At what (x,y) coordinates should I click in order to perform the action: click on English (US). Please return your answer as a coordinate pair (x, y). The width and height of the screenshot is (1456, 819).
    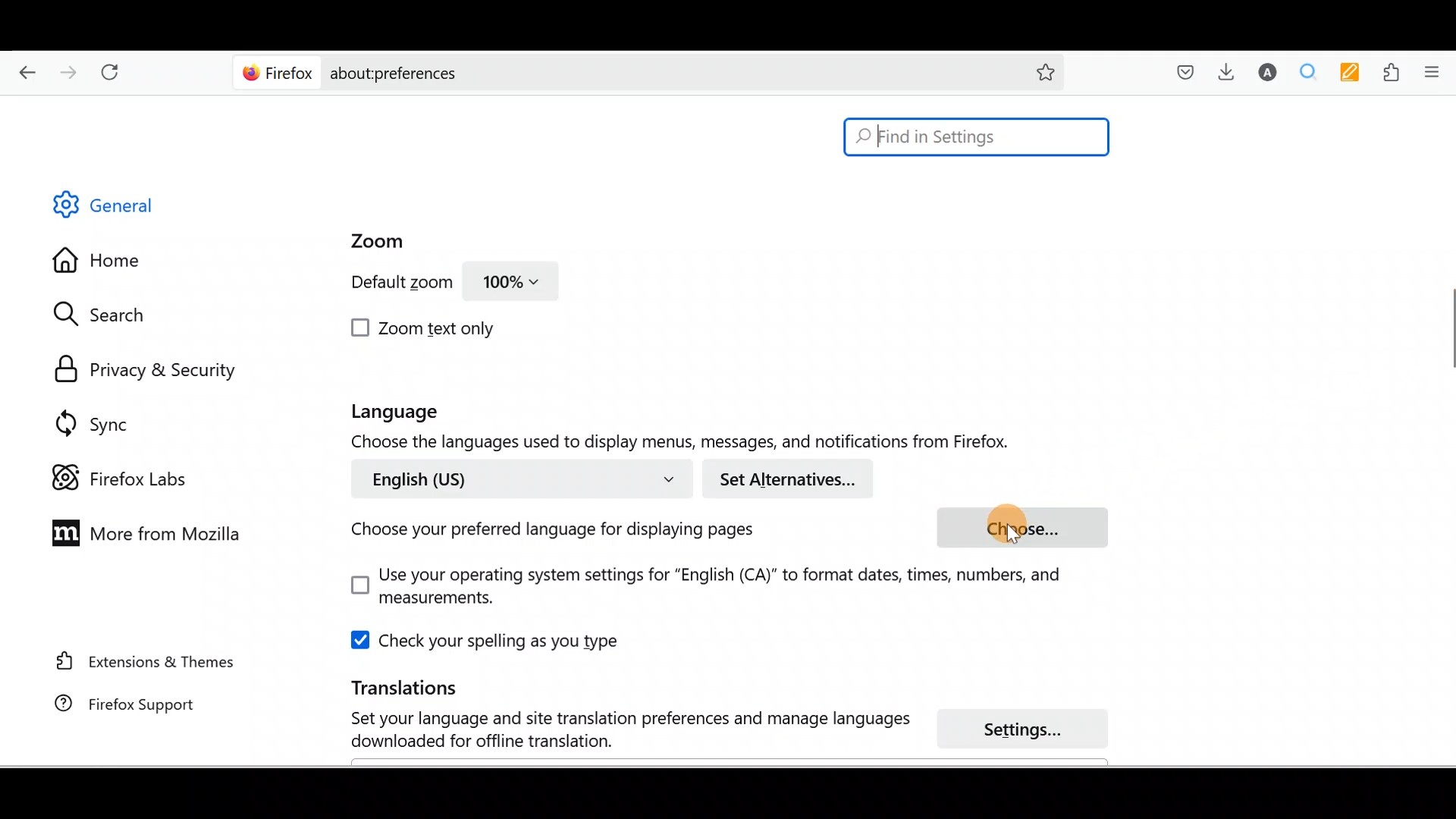
    Looking at the image, I should click on (518, 478).